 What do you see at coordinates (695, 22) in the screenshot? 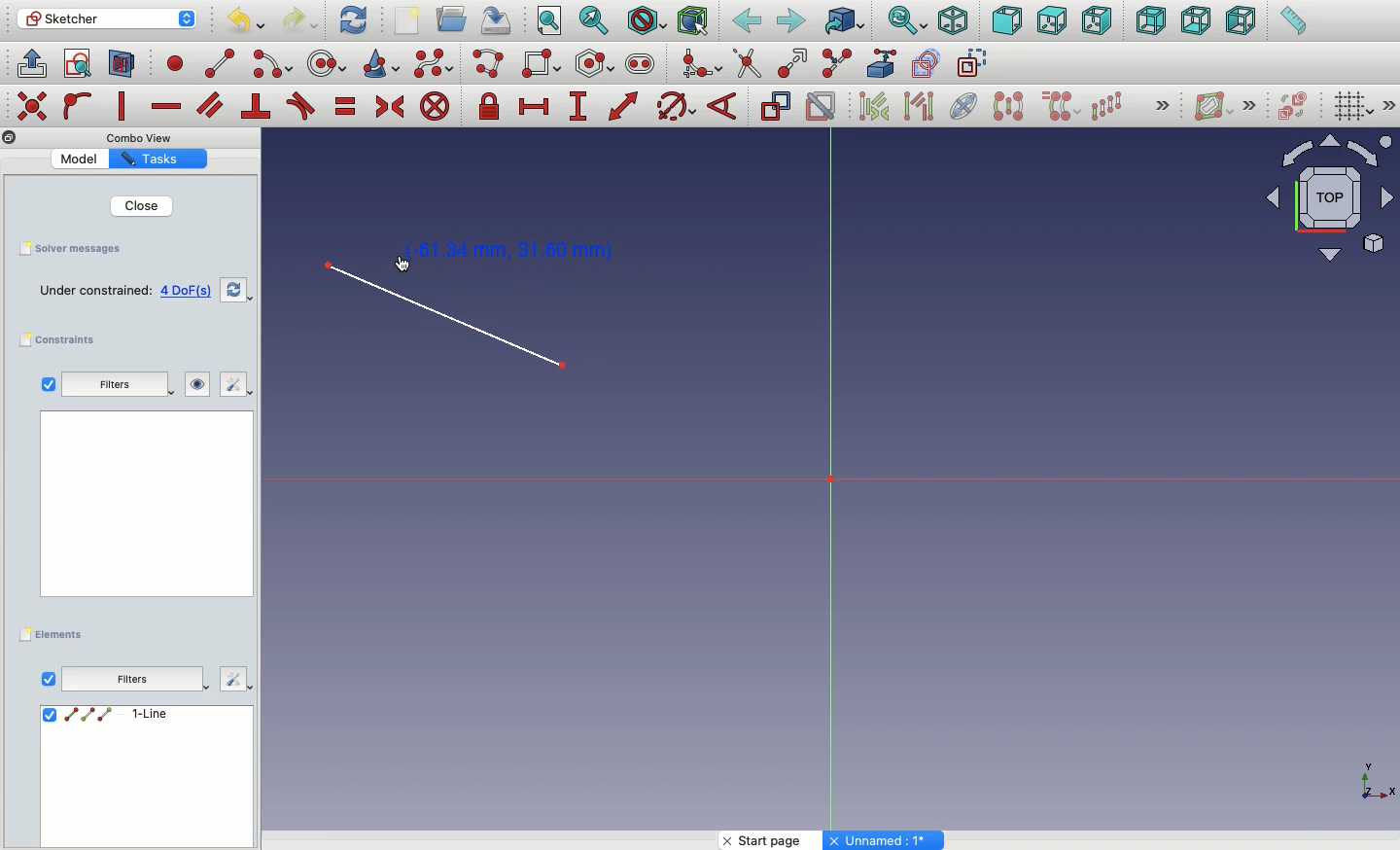
I see `Bounding box` at bounding box center [695, 22].